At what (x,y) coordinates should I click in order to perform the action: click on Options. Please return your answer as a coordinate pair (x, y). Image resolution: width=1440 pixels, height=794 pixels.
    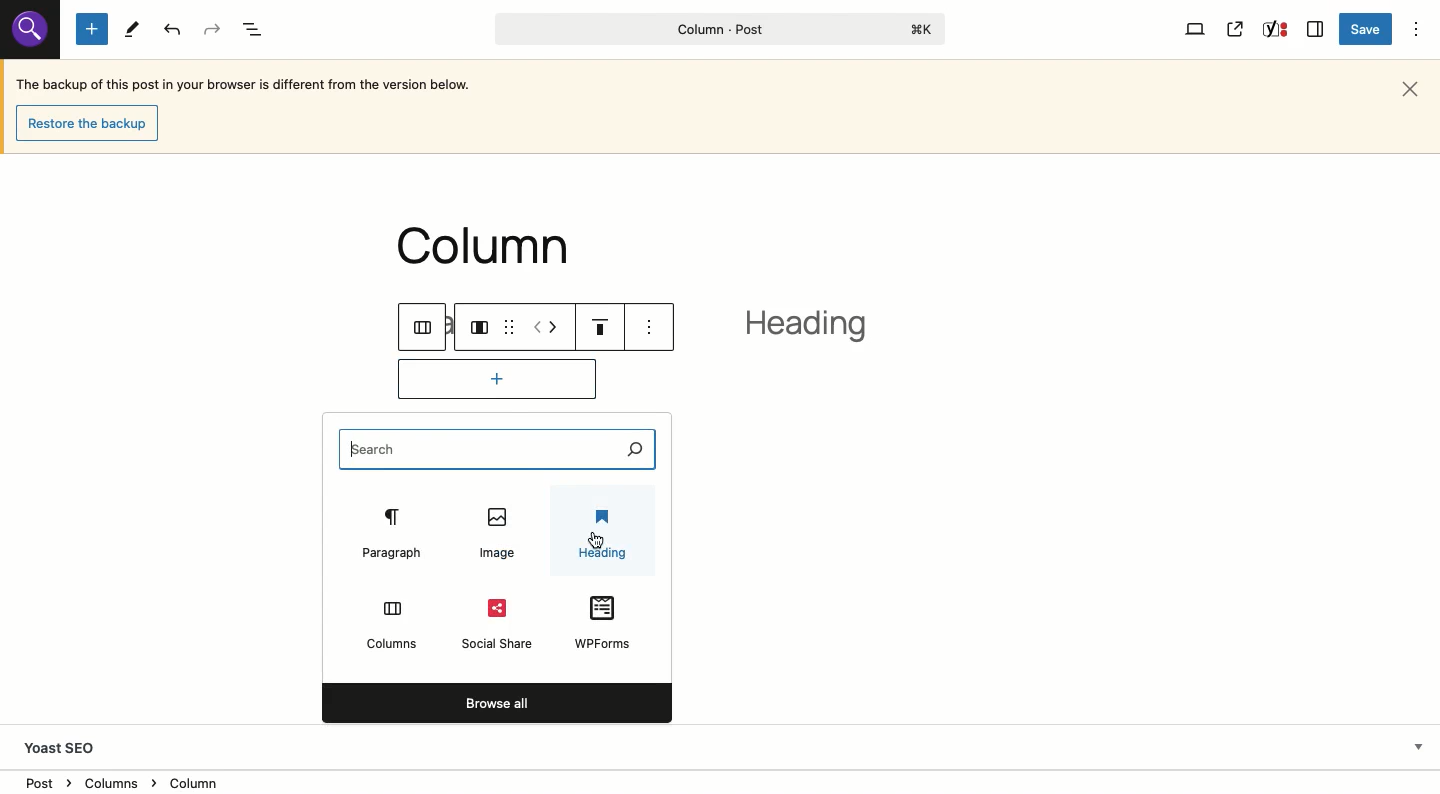
    Looking at the image, I should click on (1418, 28).